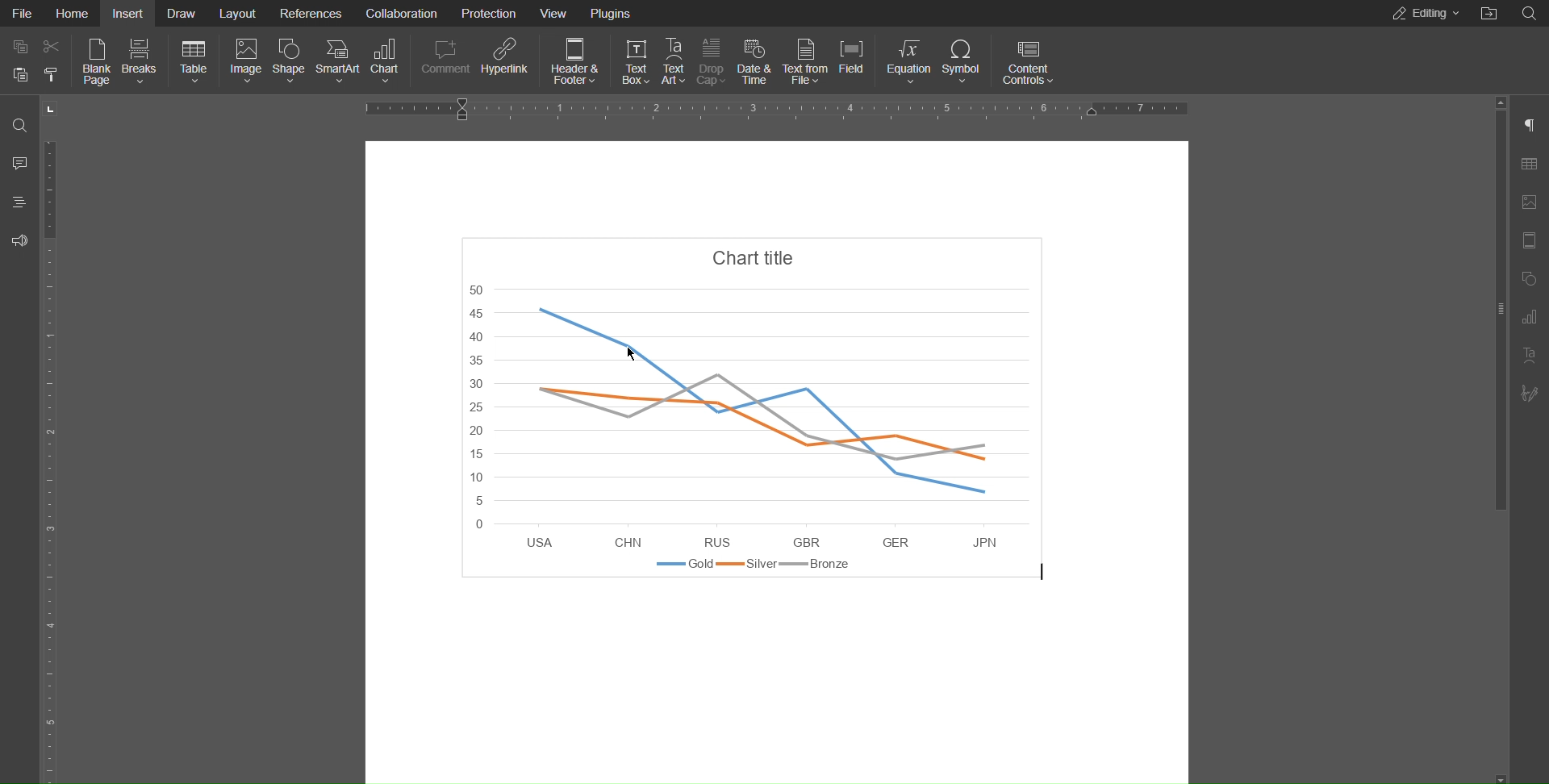 The height and width of the screenshot is (784, 1549). Describe the element at coordinates (336, 64) in the screenshot. I see `SmartArt` at that location.